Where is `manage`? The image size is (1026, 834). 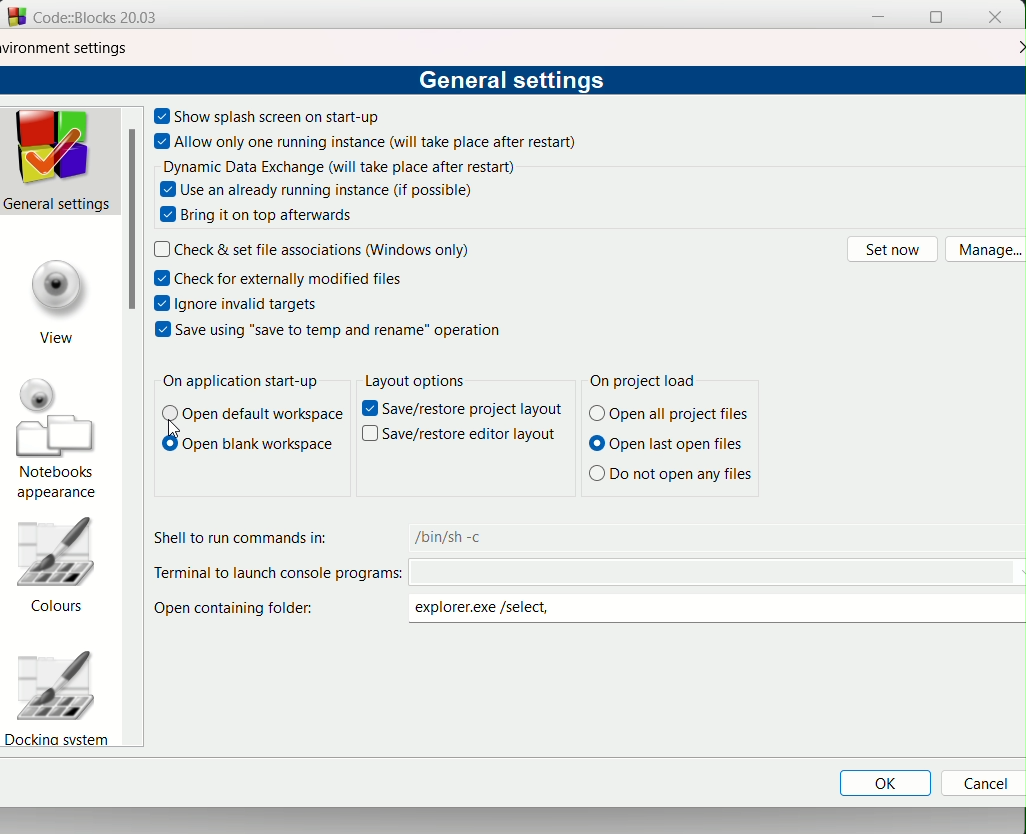 manage is located at coordinates (985, 251).